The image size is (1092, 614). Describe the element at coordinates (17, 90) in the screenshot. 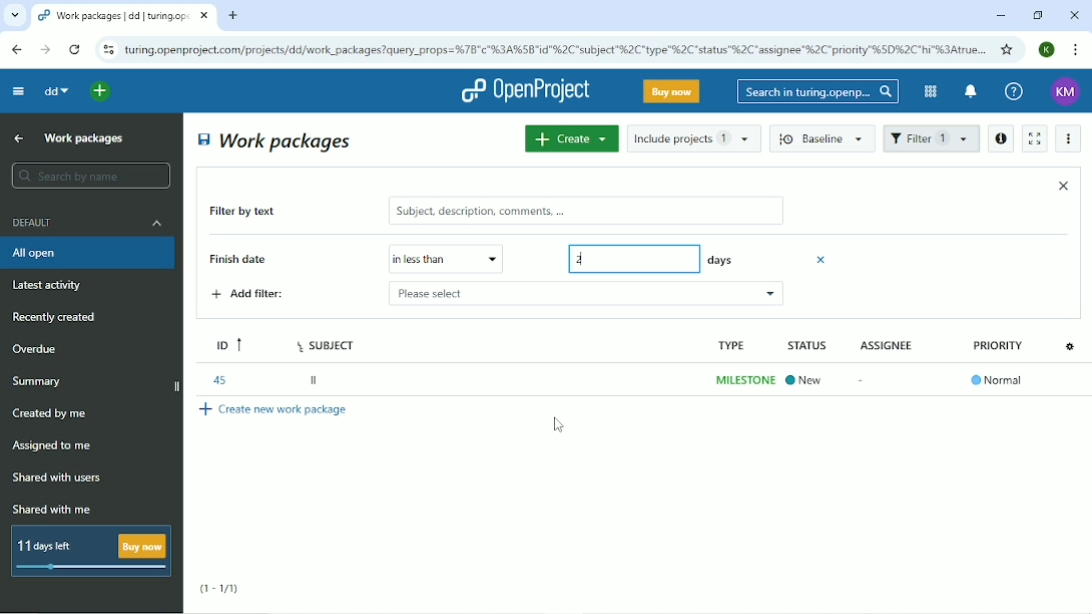

I see `Collapse project menu` at that location.